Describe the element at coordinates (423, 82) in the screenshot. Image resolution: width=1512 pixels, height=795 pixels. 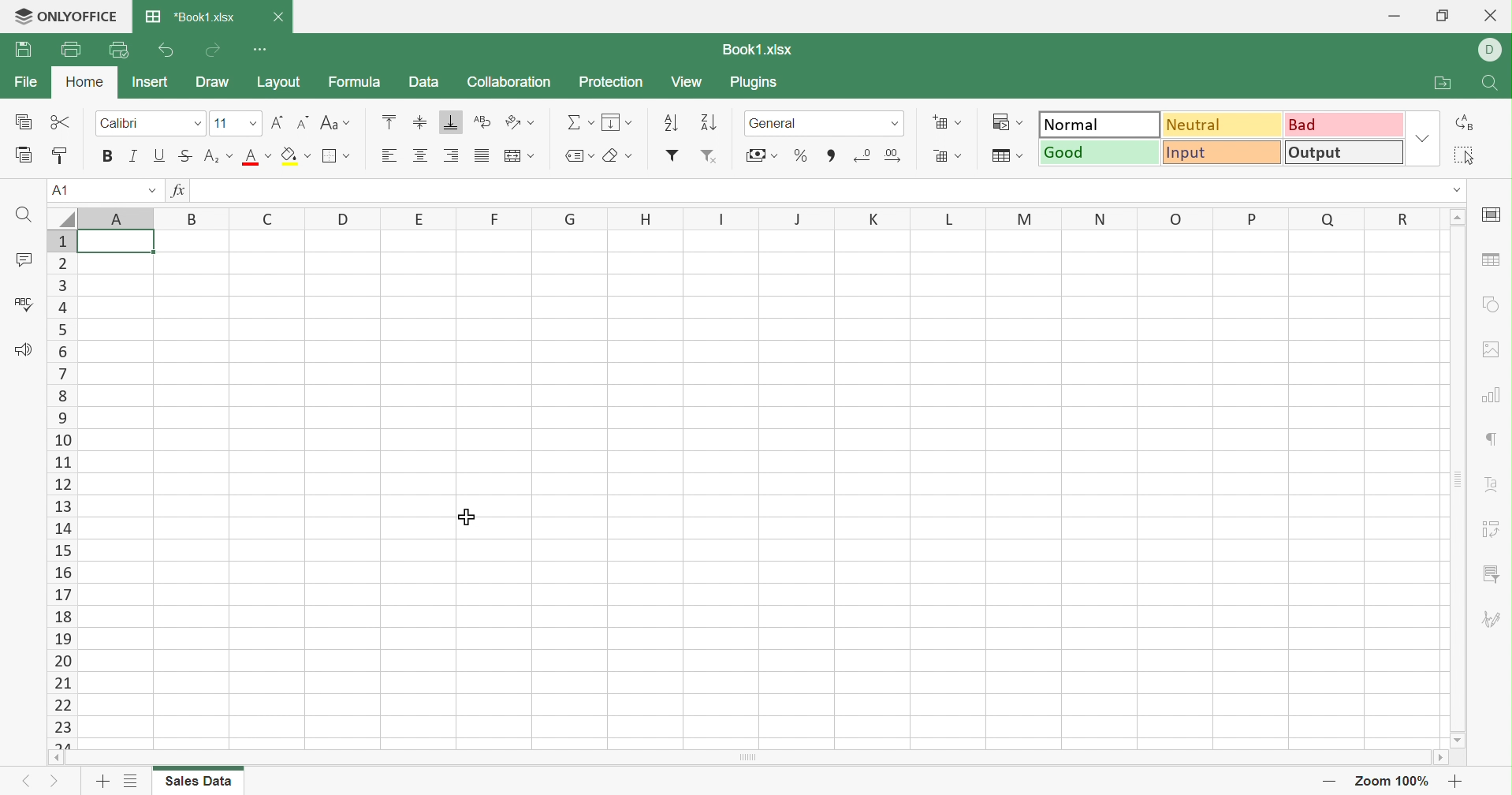
I see `Data` at that location.